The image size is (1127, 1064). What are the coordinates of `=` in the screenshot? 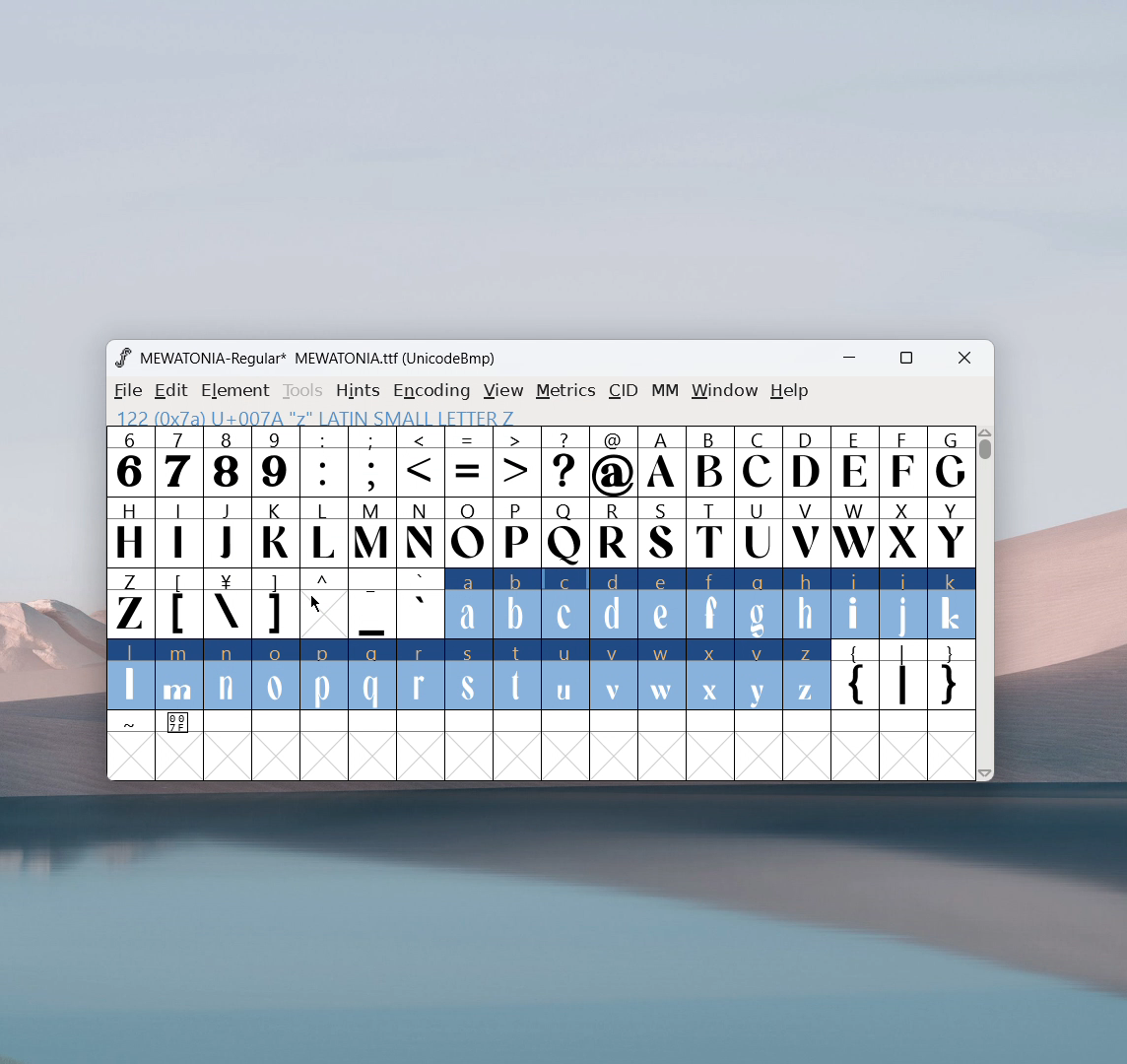 It's located at (469, 462).